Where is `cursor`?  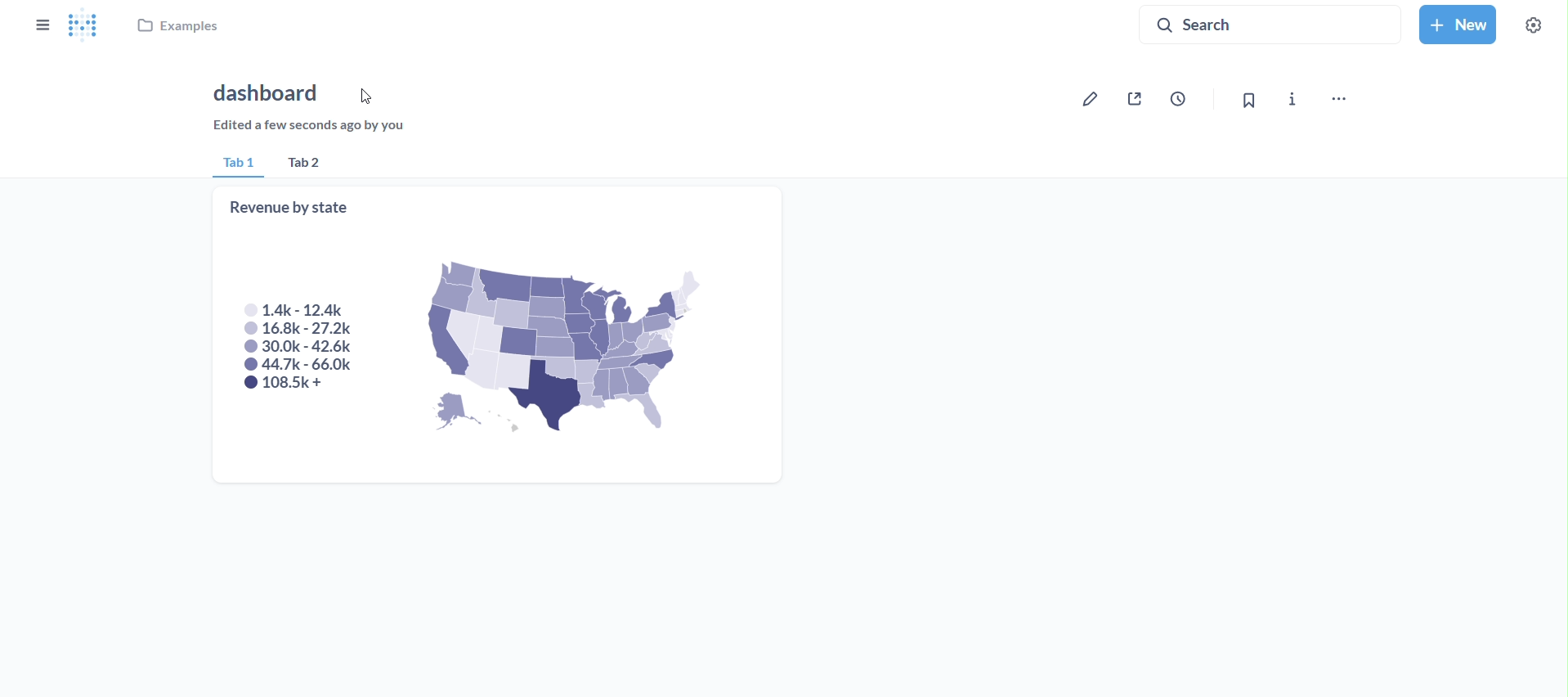
cursor is located at coordinates (368, 97).